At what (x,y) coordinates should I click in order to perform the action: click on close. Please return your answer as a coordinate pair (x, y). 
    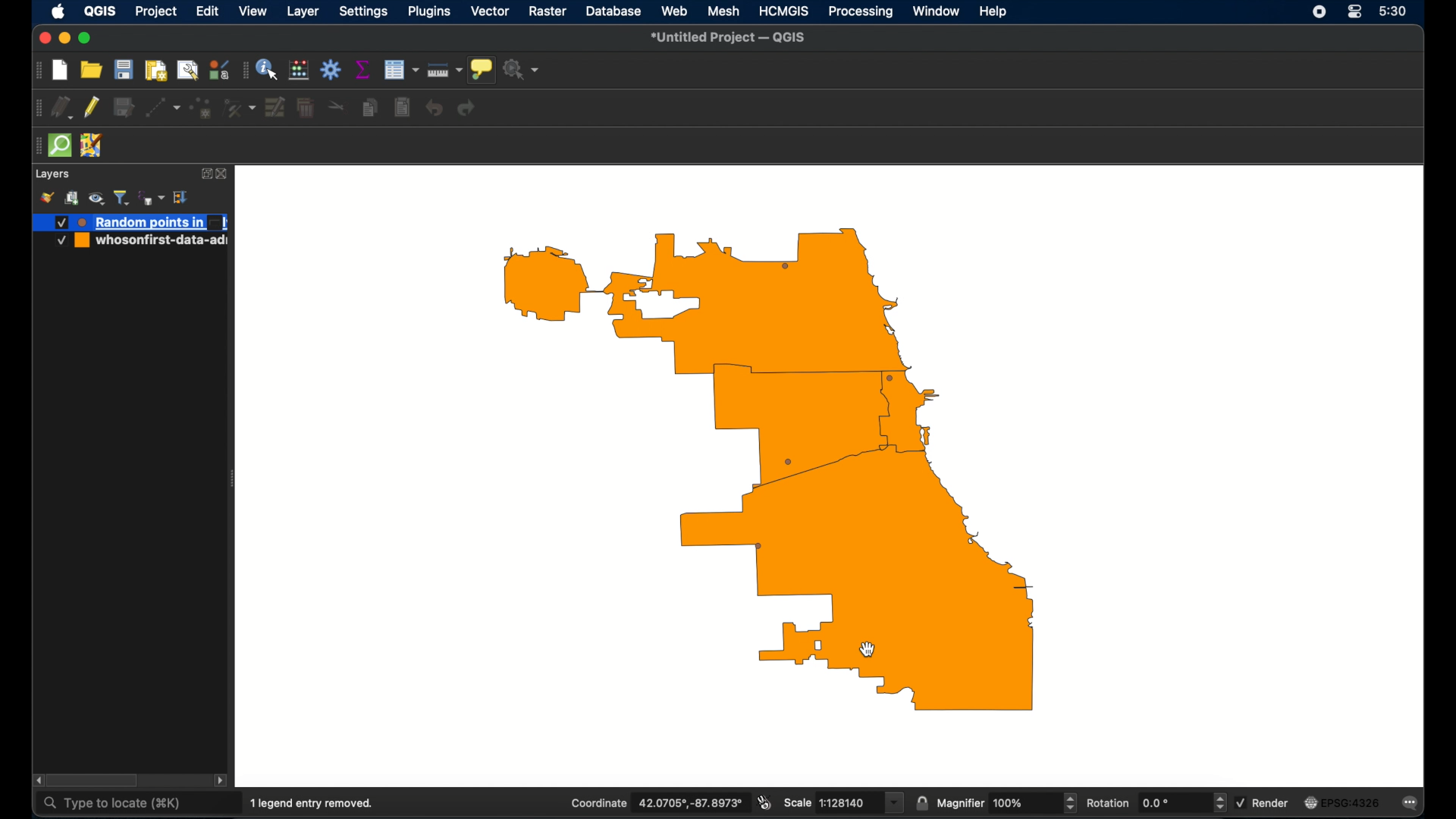
    Looking at the image, I should click on (224, 174).